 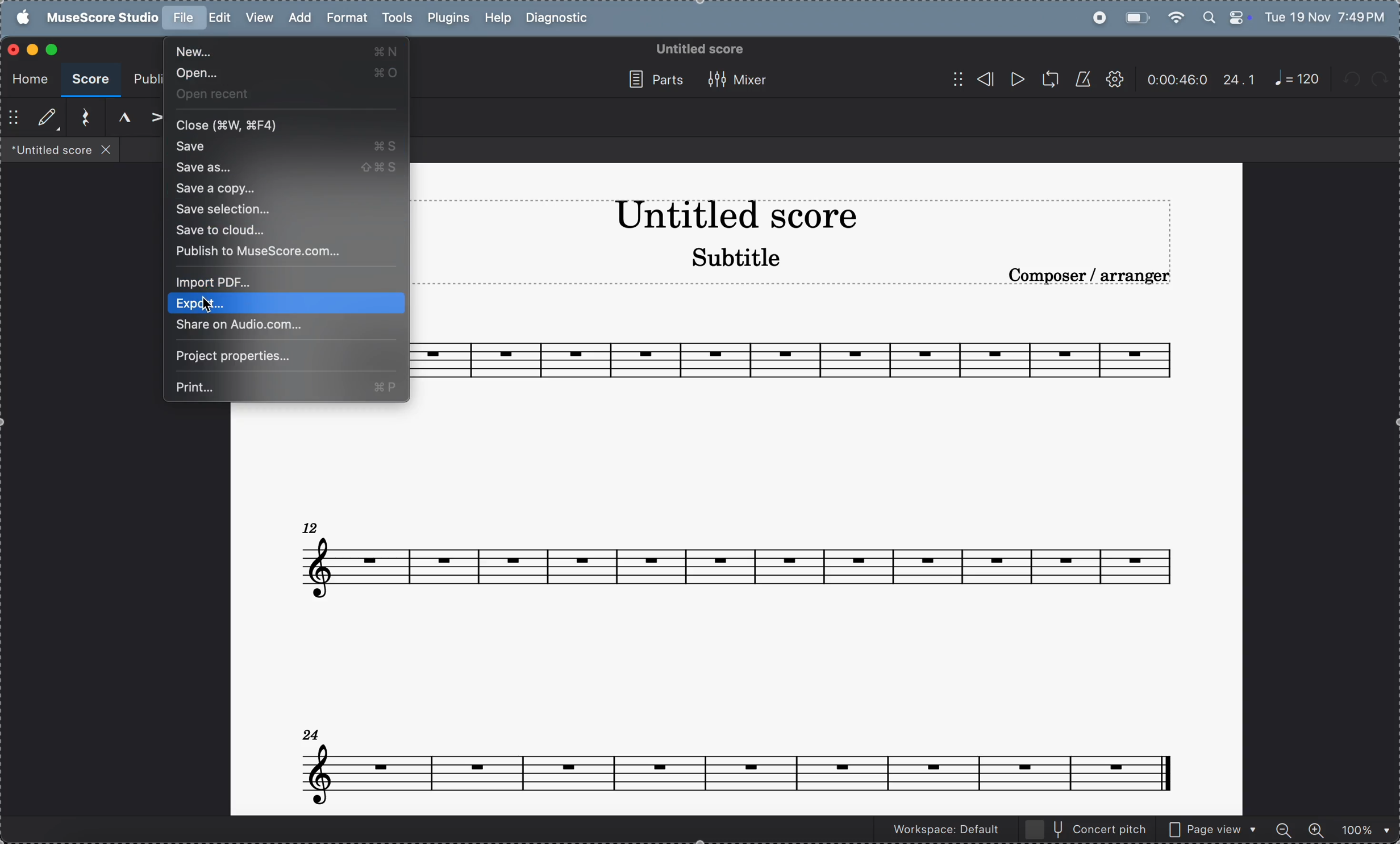 What do you see at coordinates (1091, 275) in the screenshot?
I see `composer` at bounding box center [1091, 275].